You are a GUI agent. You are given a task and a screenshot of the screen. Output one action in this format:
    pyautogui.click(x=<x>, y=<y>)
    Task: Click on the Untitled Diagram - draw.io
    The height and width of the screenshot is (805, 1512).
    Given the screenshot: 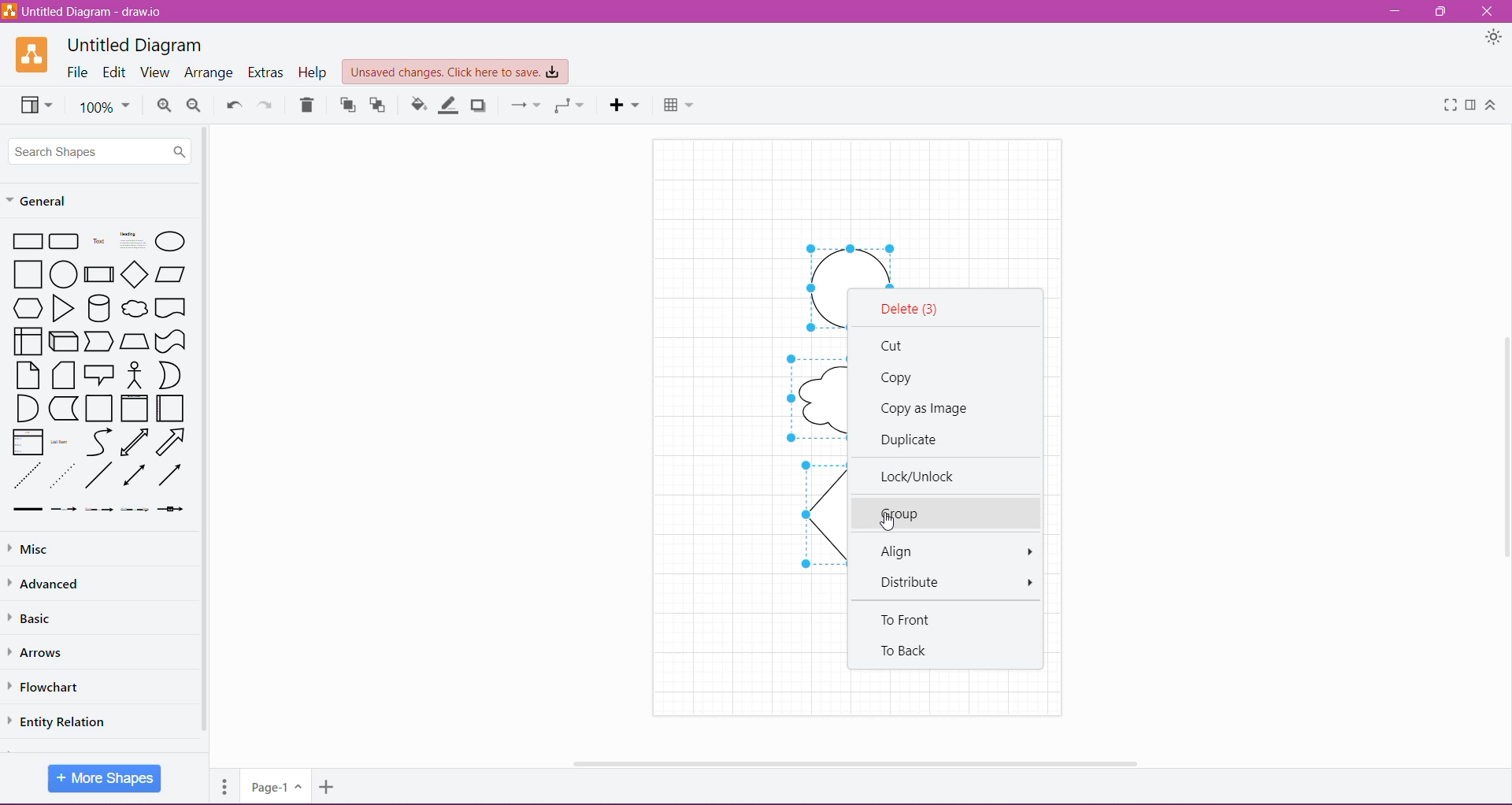 What is the action you would take?
    pyautogui.click(x=88, y=11)
    